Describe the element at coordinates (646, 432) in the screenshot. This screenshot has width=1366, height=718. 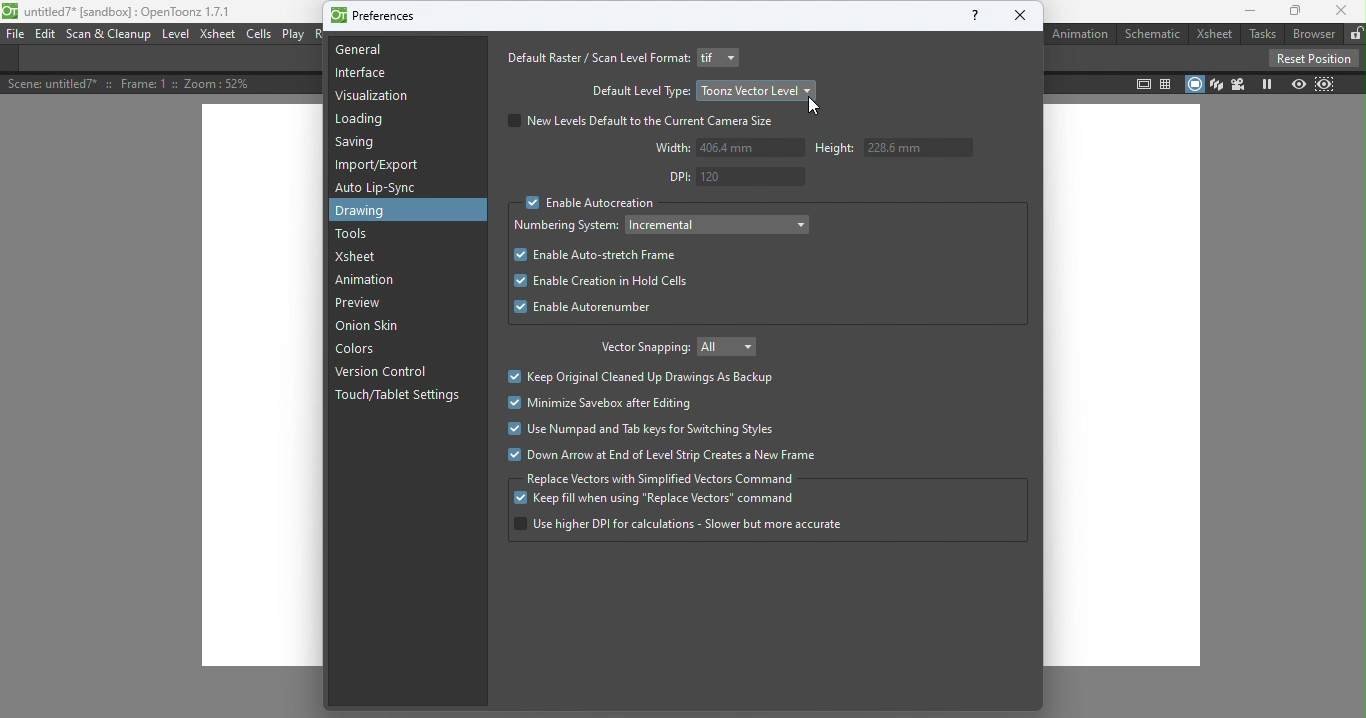
I see `Use numpad and tab keys for switching styles` at that location.